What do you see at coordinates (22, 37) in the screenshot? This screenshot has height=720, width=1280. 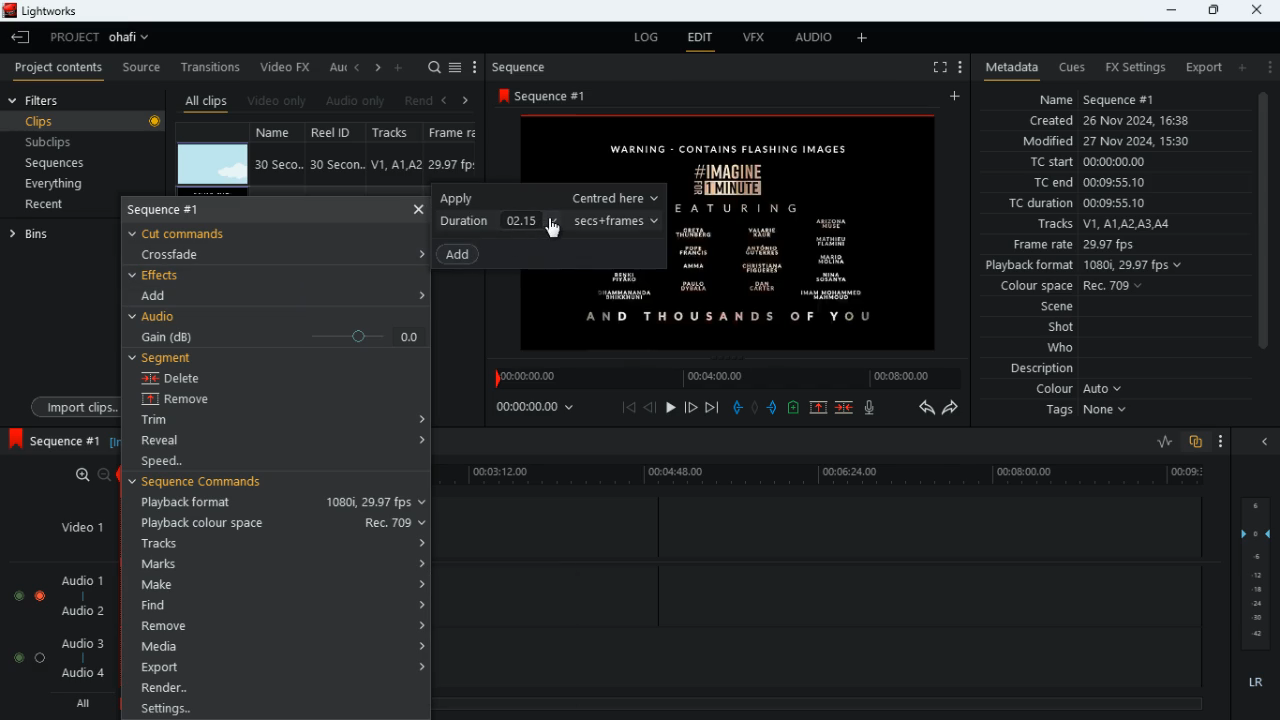 I see `leave` at bounding box center [22, 37].